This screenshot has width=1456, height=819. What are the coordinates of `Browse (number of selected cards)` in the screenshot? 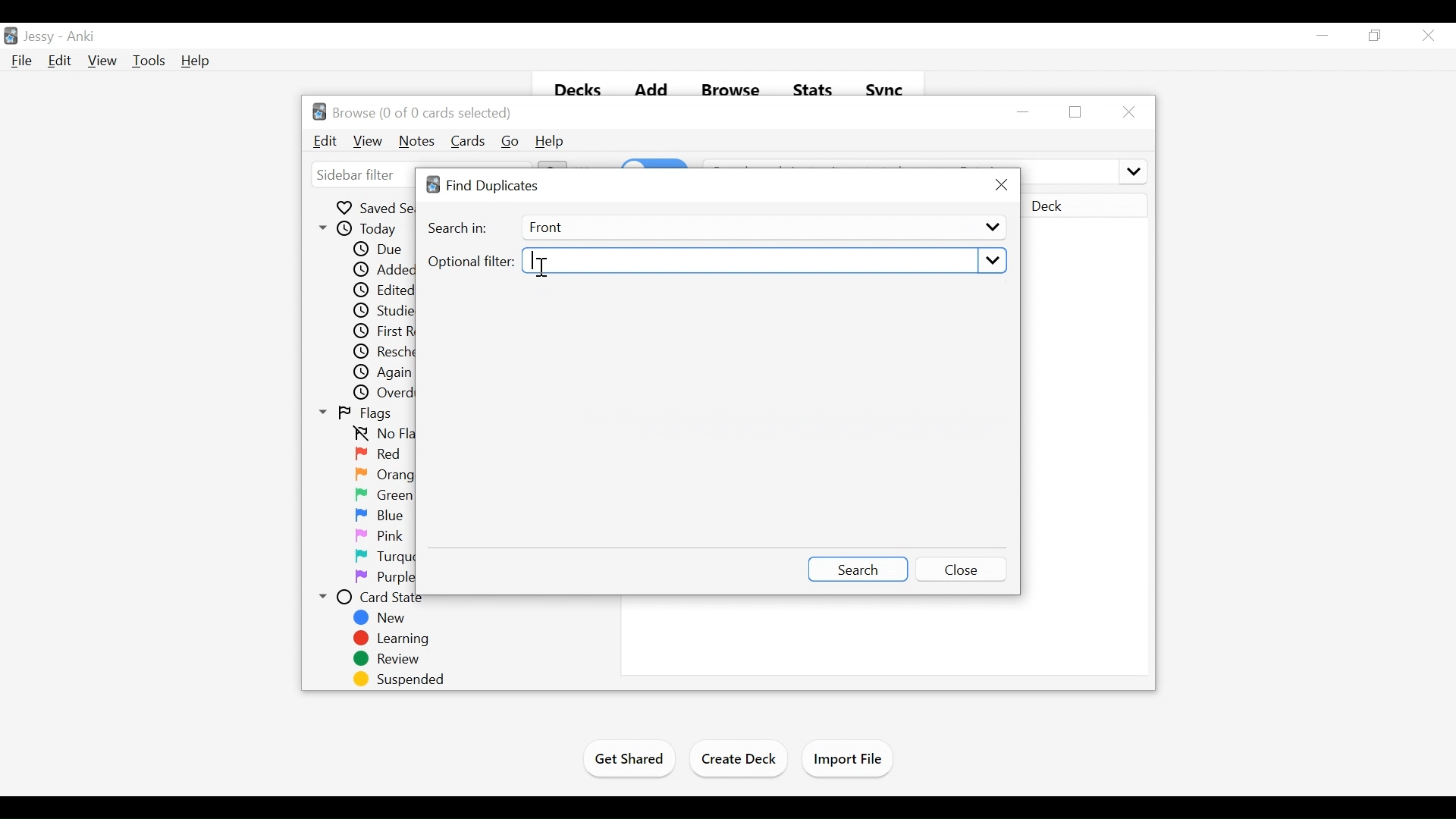 It's located at (413, 111).